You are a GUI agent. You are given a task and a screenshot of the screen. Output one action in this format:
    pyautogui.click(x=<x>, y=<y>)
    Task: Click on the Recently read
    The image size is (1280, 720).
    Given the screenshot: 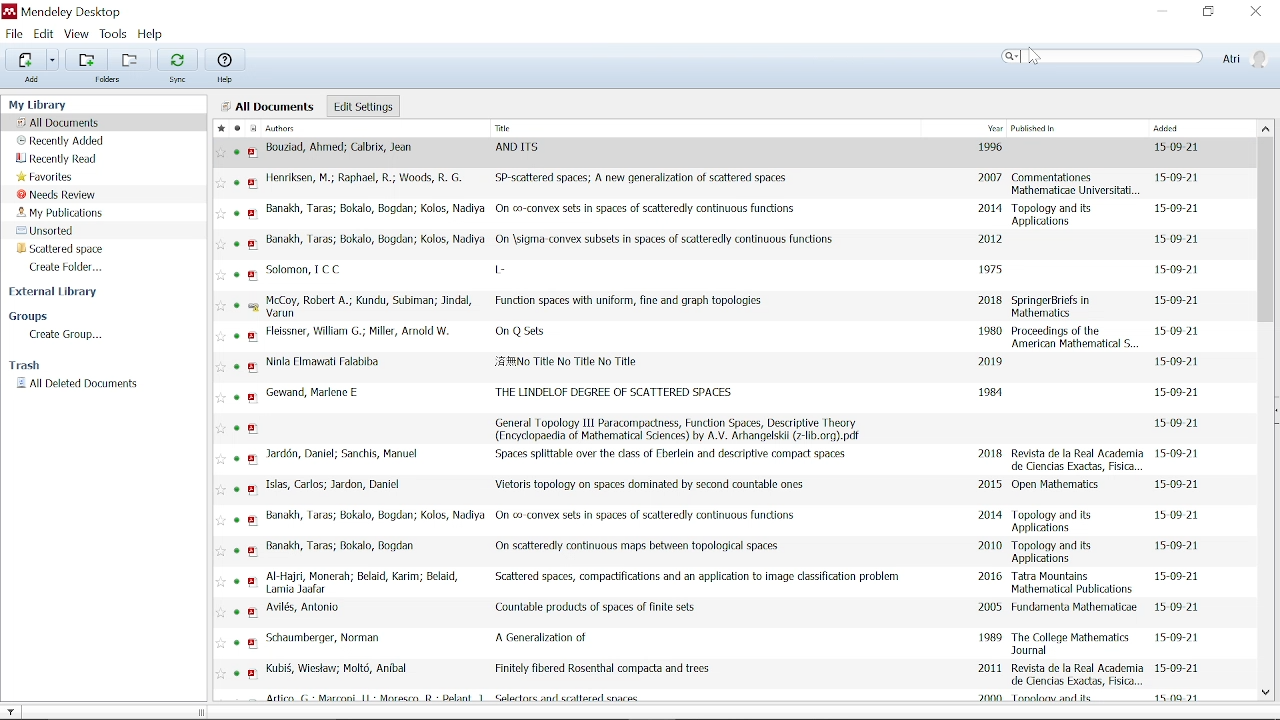 What is the action you would take?
    pyautogui.click(x=71, y=159)
    